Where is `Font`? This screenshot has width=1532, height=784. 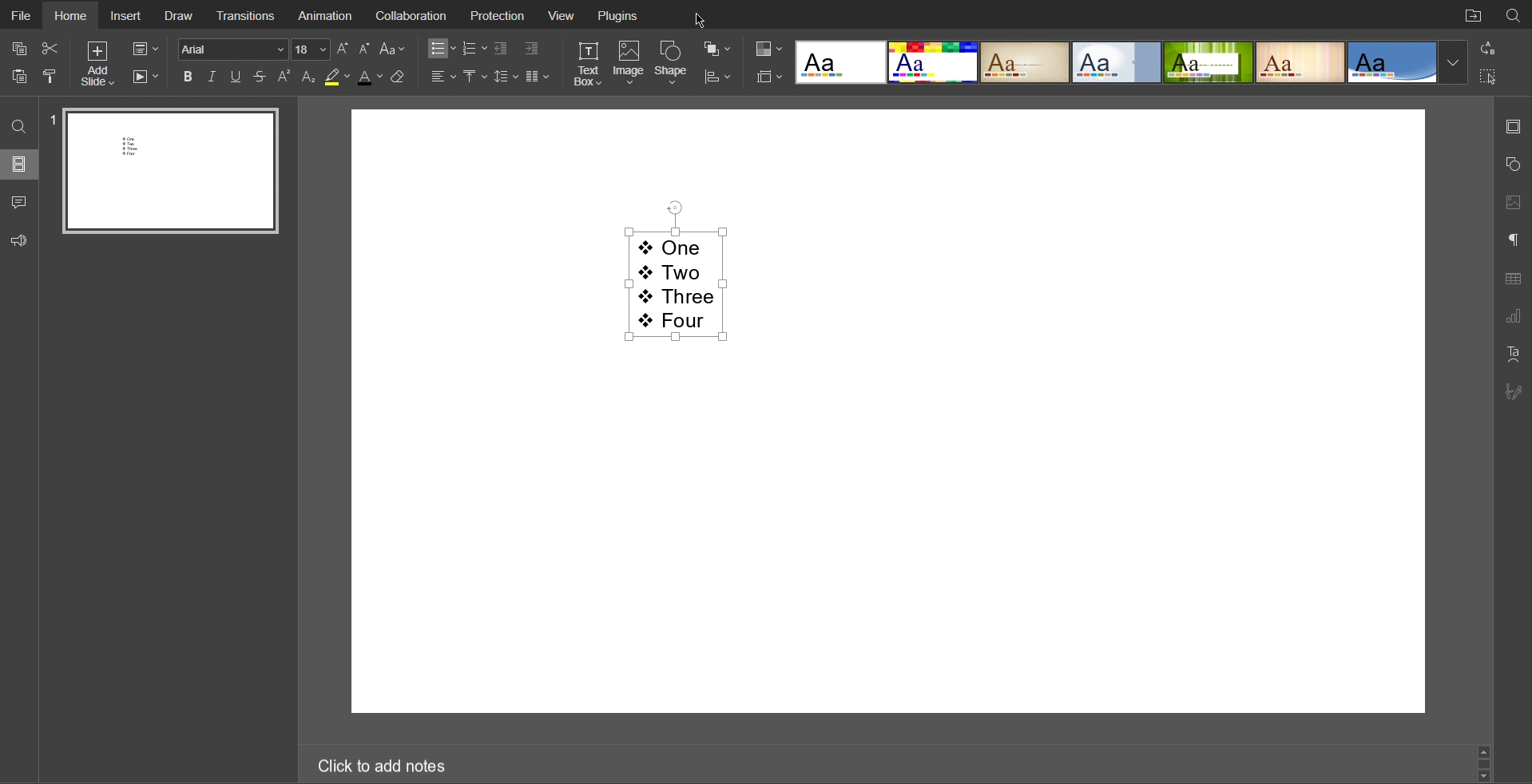 Font is located at coordinates (234, 49).